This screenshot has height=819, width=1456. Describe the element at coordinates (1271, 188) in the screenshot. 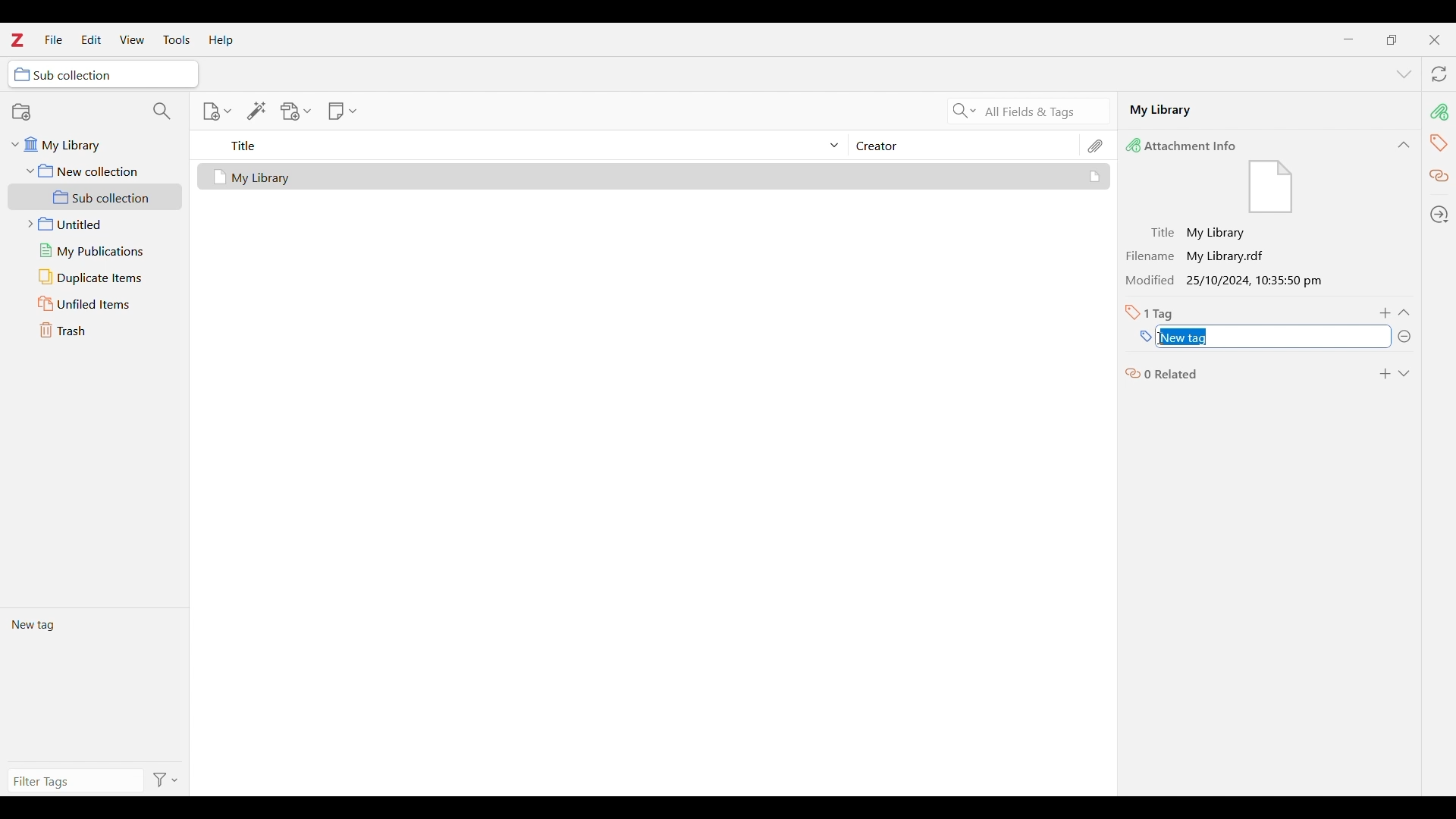

I see `file logo` at that location.